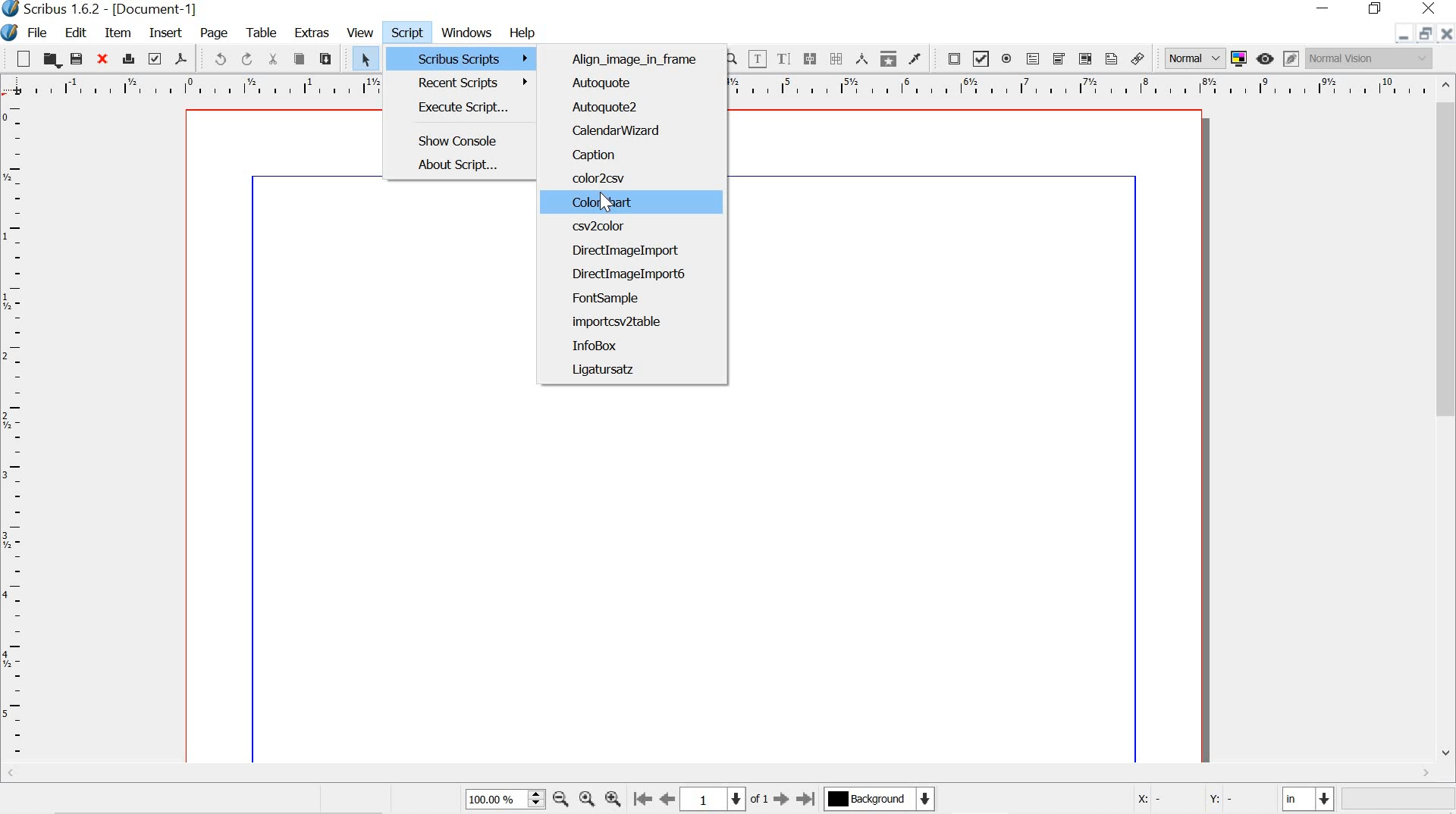 This screenshot has width=1456, height=814. I want to click on save, so click(79, 60).